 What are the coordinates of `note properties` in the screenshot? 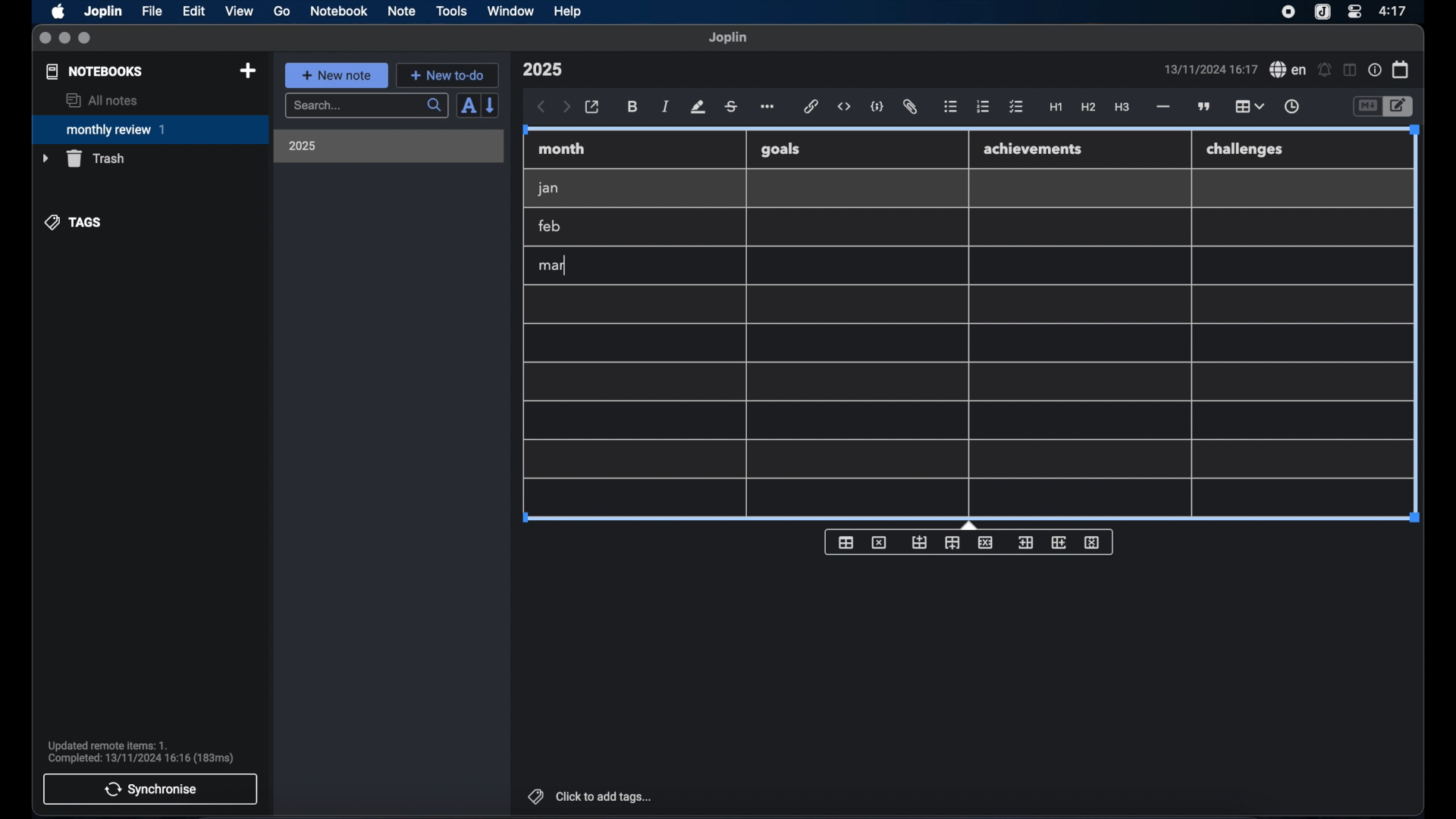 It's located at (1375, 71).